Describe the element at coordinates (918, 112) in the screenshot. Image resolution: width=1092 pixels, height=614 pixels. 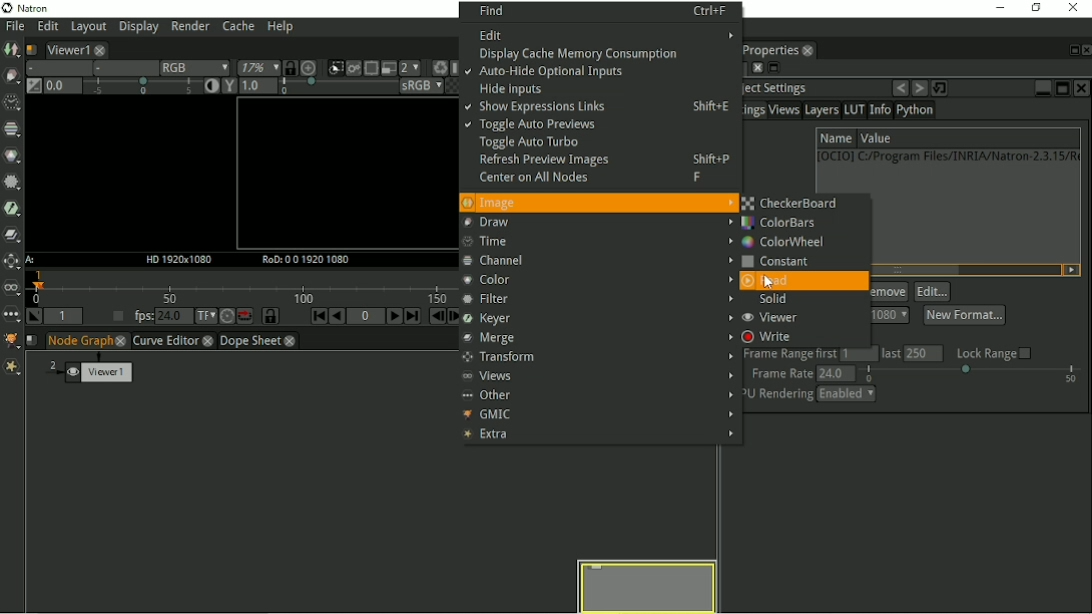
I see `Python` at that location.